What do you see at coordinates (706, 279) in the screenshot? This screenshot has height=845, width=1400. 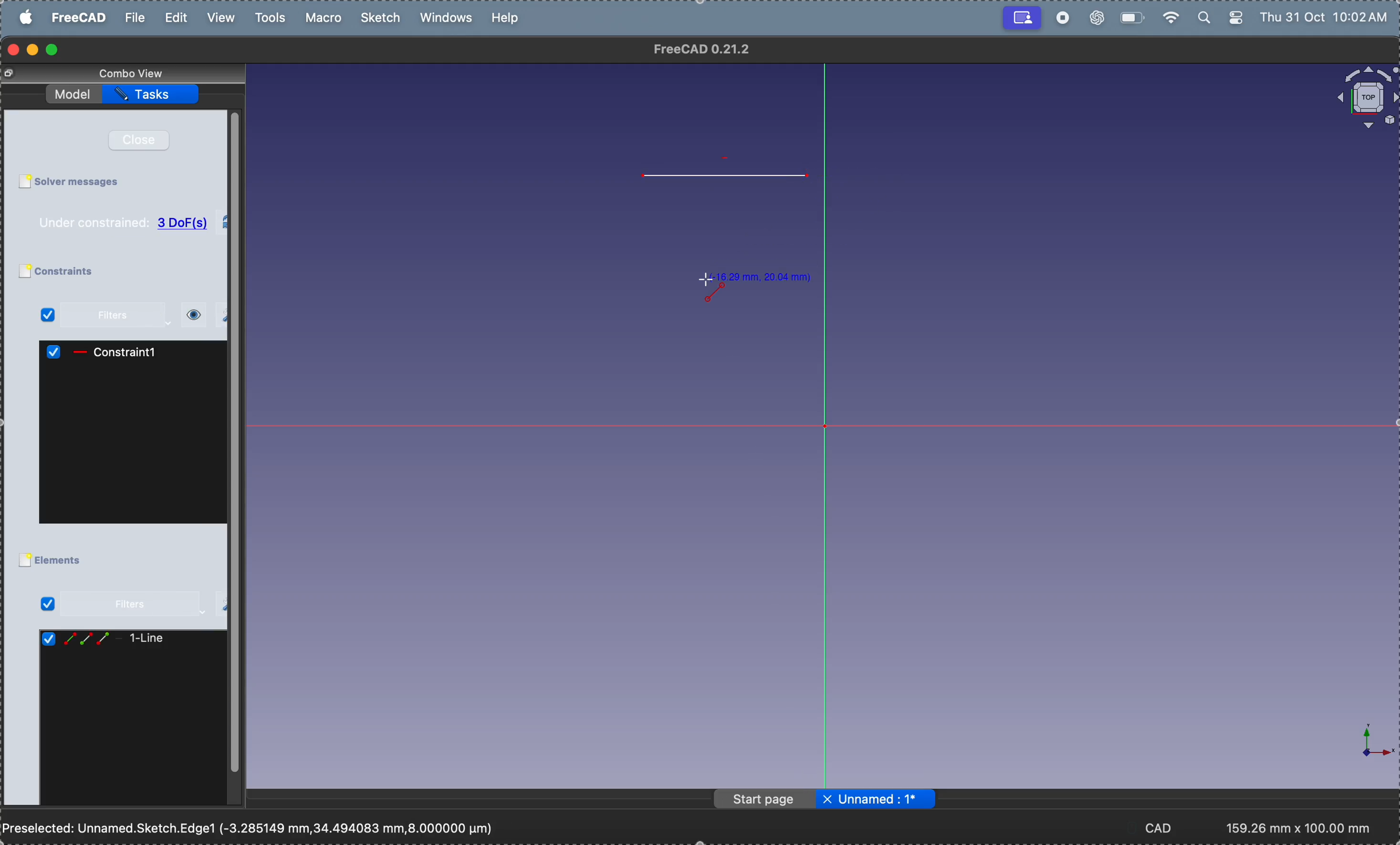 I see `cursor` at bounding box center [706, 279].